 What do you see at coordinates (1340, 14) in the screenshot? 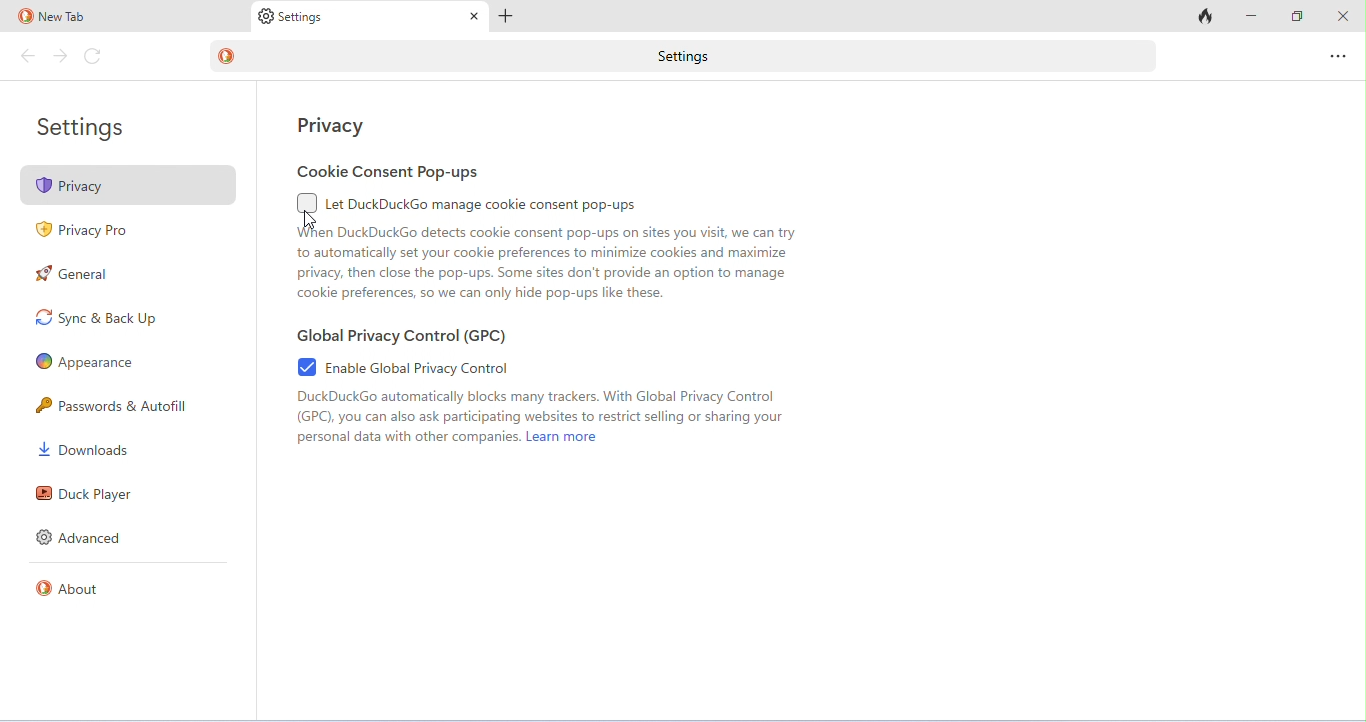
I see `close` at bounding box center [1340, 14].